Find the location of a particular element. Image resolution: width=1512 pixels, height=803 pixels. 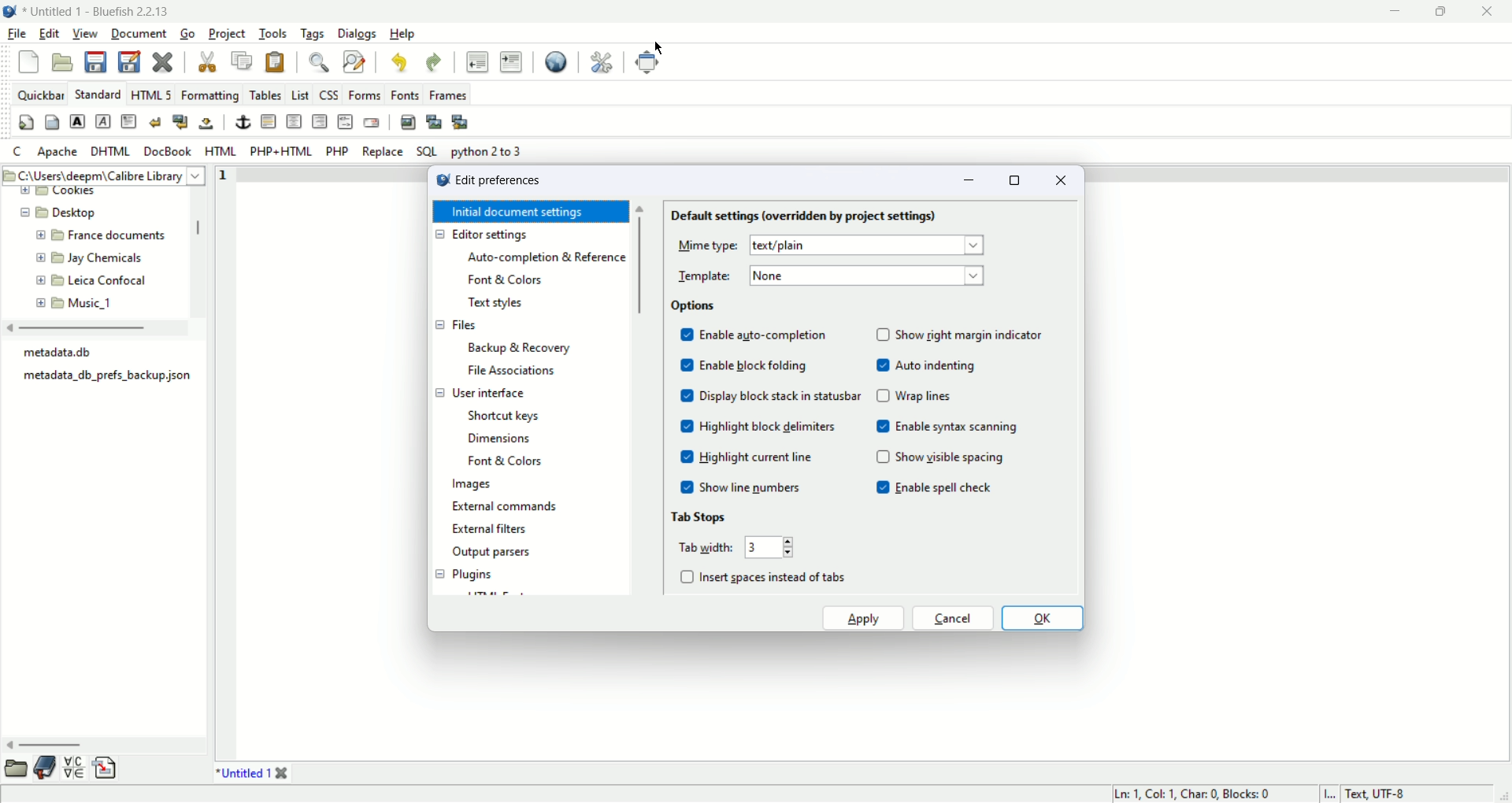

cancel is located at coordinates (954, 620).